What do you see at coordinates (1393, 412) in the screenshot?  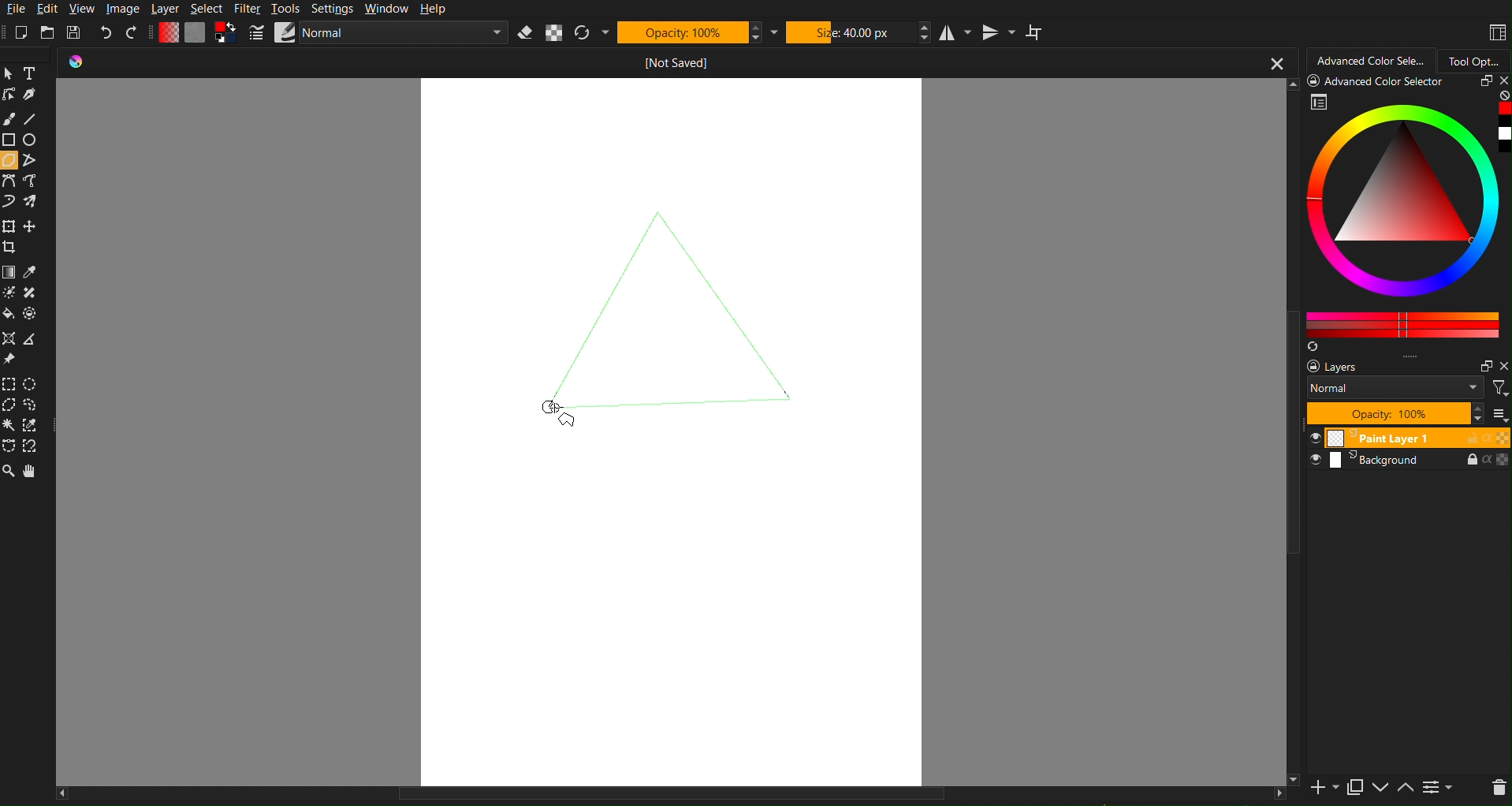 I see `opacity: 100%` at bounding box center [1393, 412].